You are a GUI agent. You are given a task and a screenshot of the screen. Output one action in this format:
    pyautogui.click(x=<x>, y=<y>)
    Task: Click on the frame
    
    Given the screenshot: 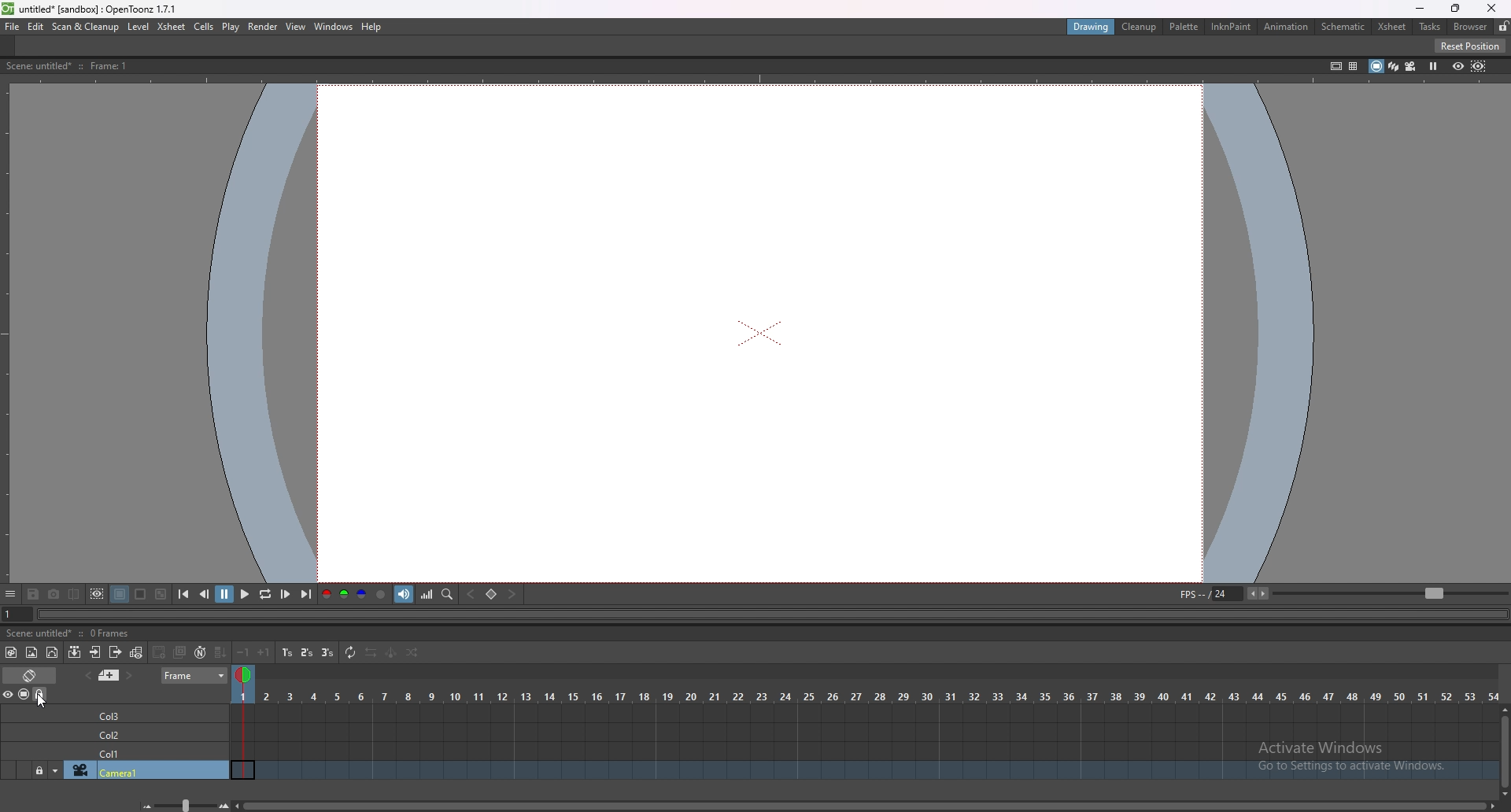 What is the action you would take?
    pyautogui.click(x=196, y=676)
    